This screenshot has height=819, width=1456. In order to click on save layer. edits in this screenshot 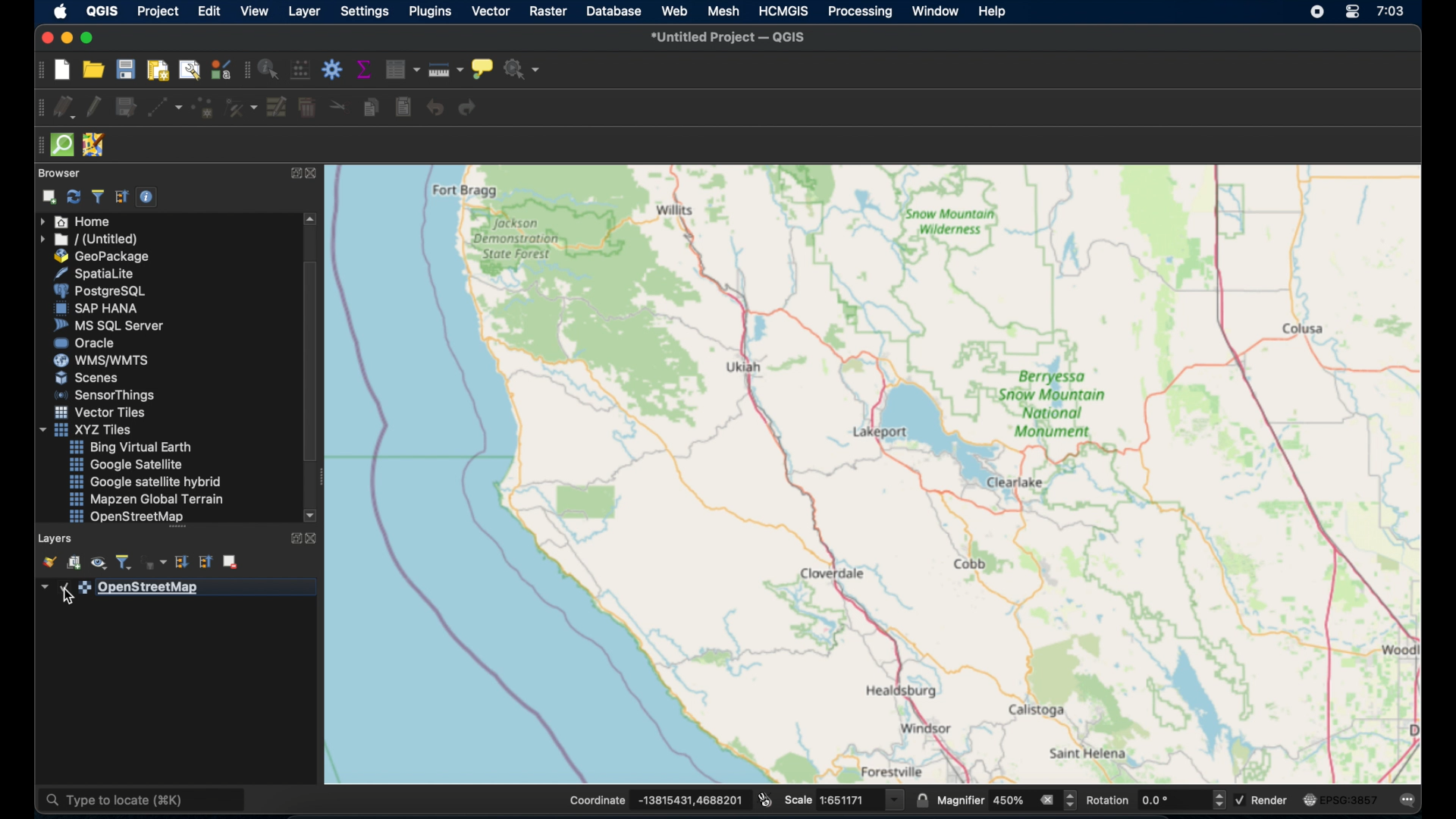, I will do `click(125, 108)`.